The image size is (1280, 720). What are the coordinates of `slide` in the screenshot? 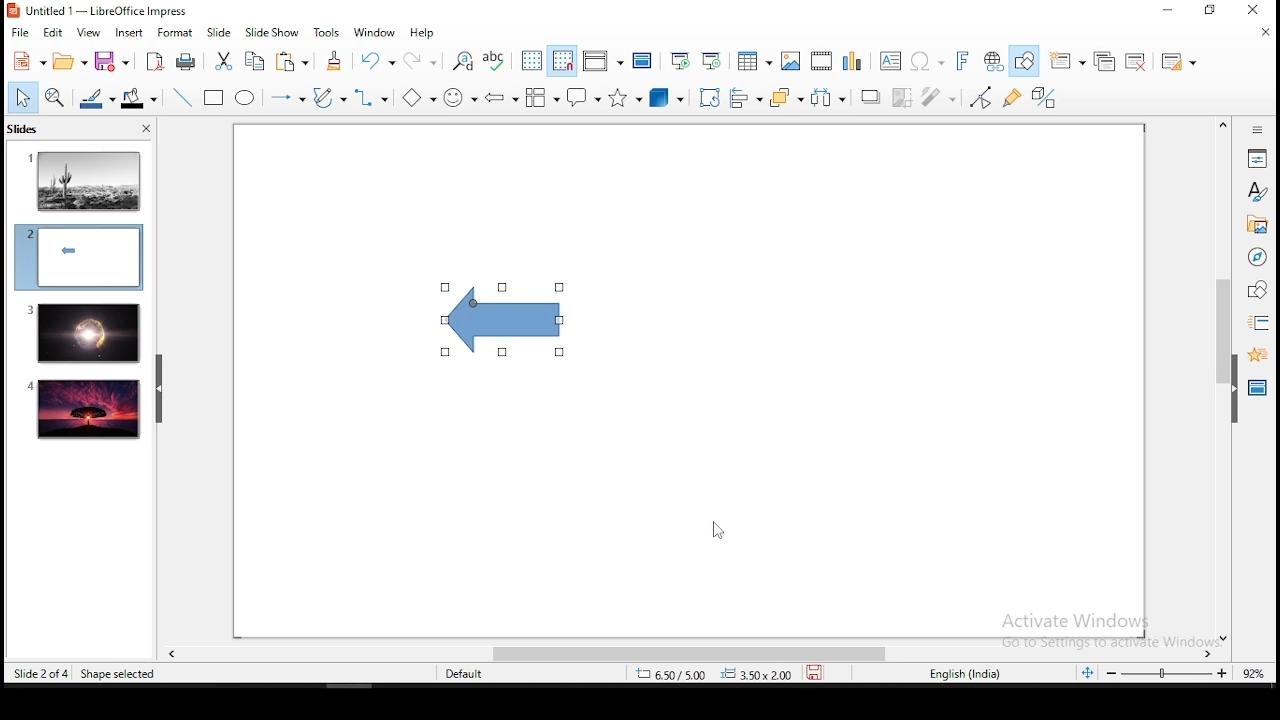 It's located at (82, 333).